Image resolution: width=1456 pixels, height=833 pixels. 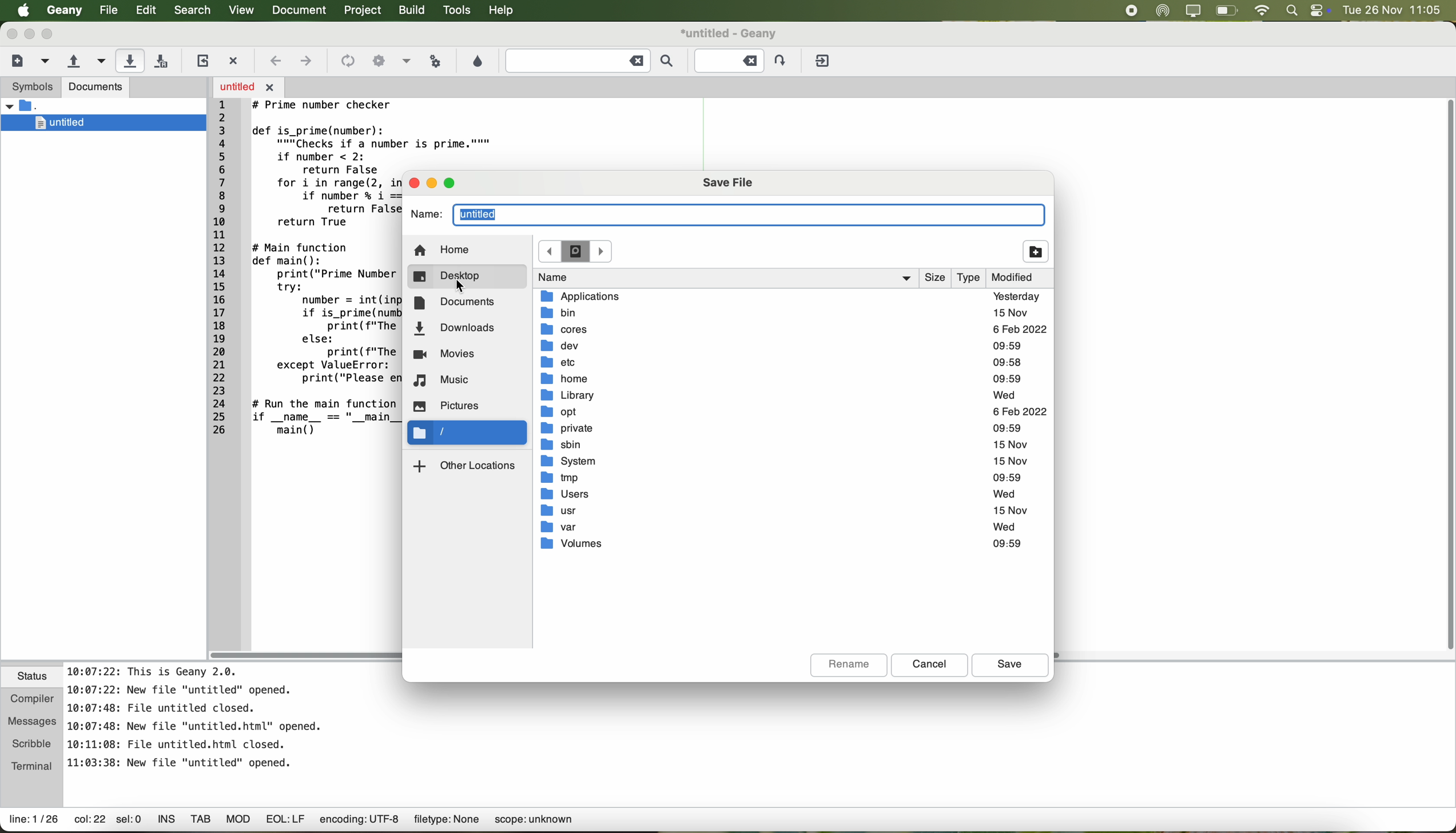 I want to click on documents, so click(x=456, y=303).